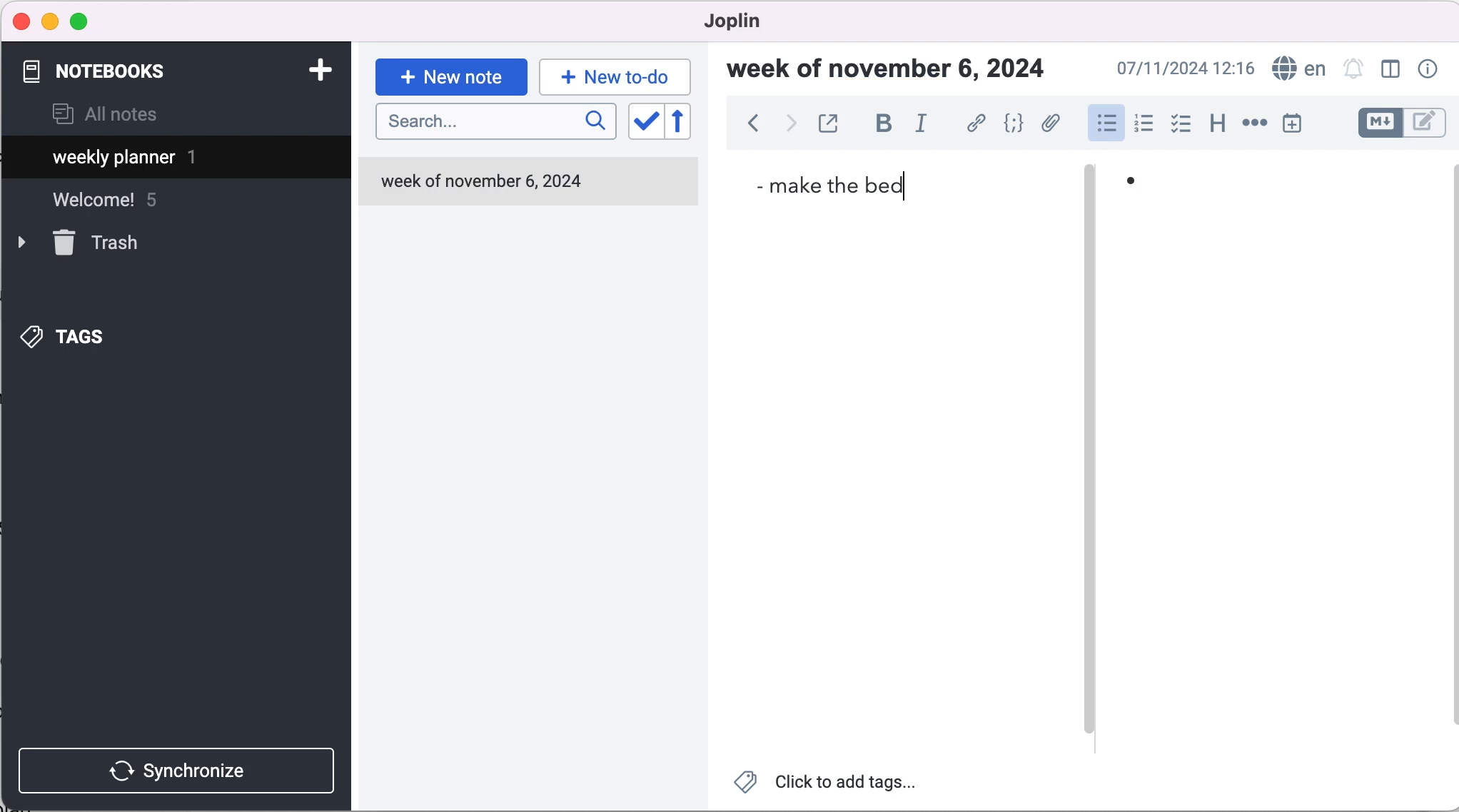  What do you see at coordinates (1105, 122) in the screenshot?
I see `bulleted list` at bounding box center [1105, 122].